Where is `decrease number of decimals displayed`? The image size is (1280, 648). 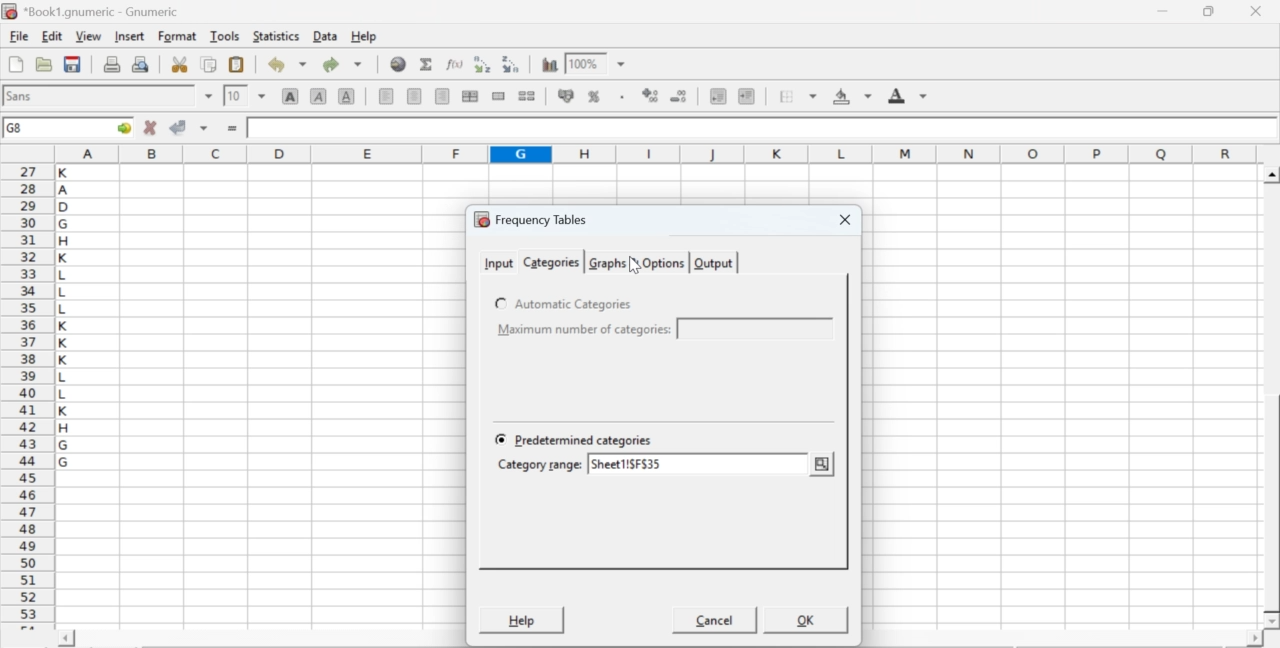
decrease number of decimals displayed is located at coordinates (678, 97).